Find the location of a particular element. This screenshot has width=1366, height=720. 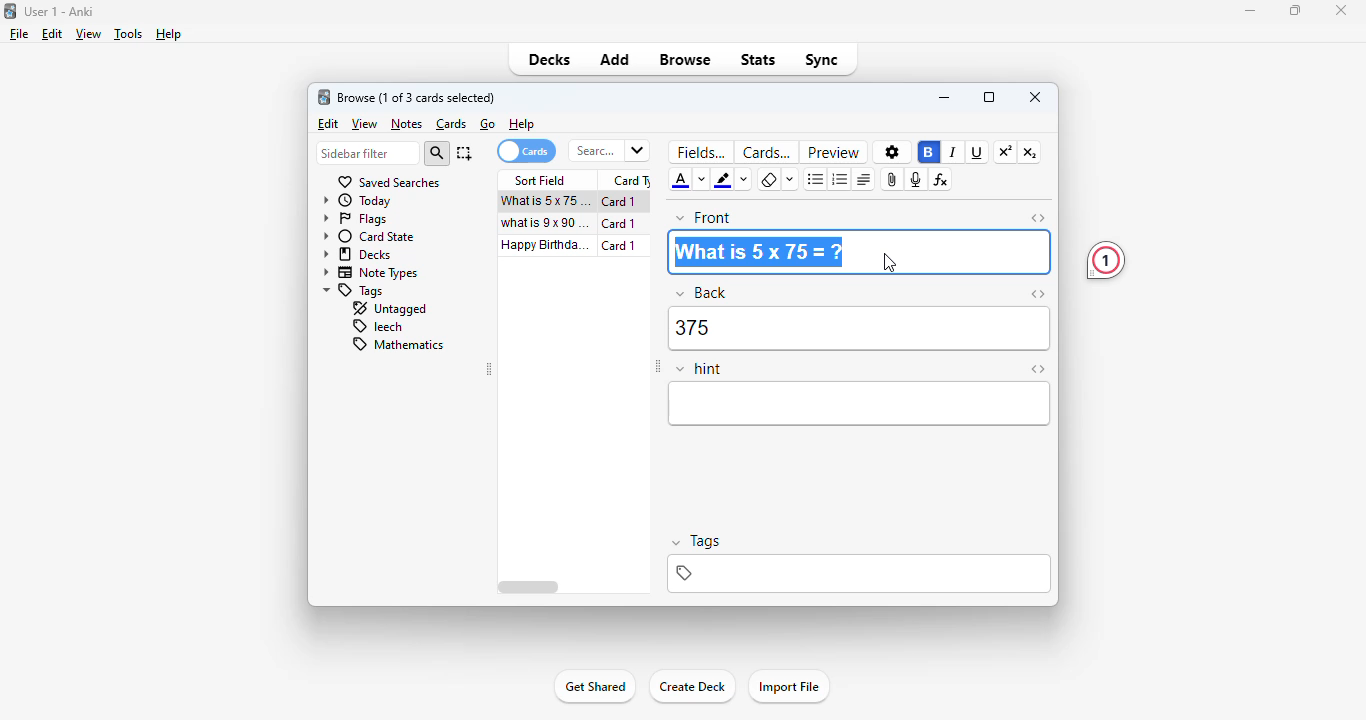

change color is located at coordinates (702, 181).